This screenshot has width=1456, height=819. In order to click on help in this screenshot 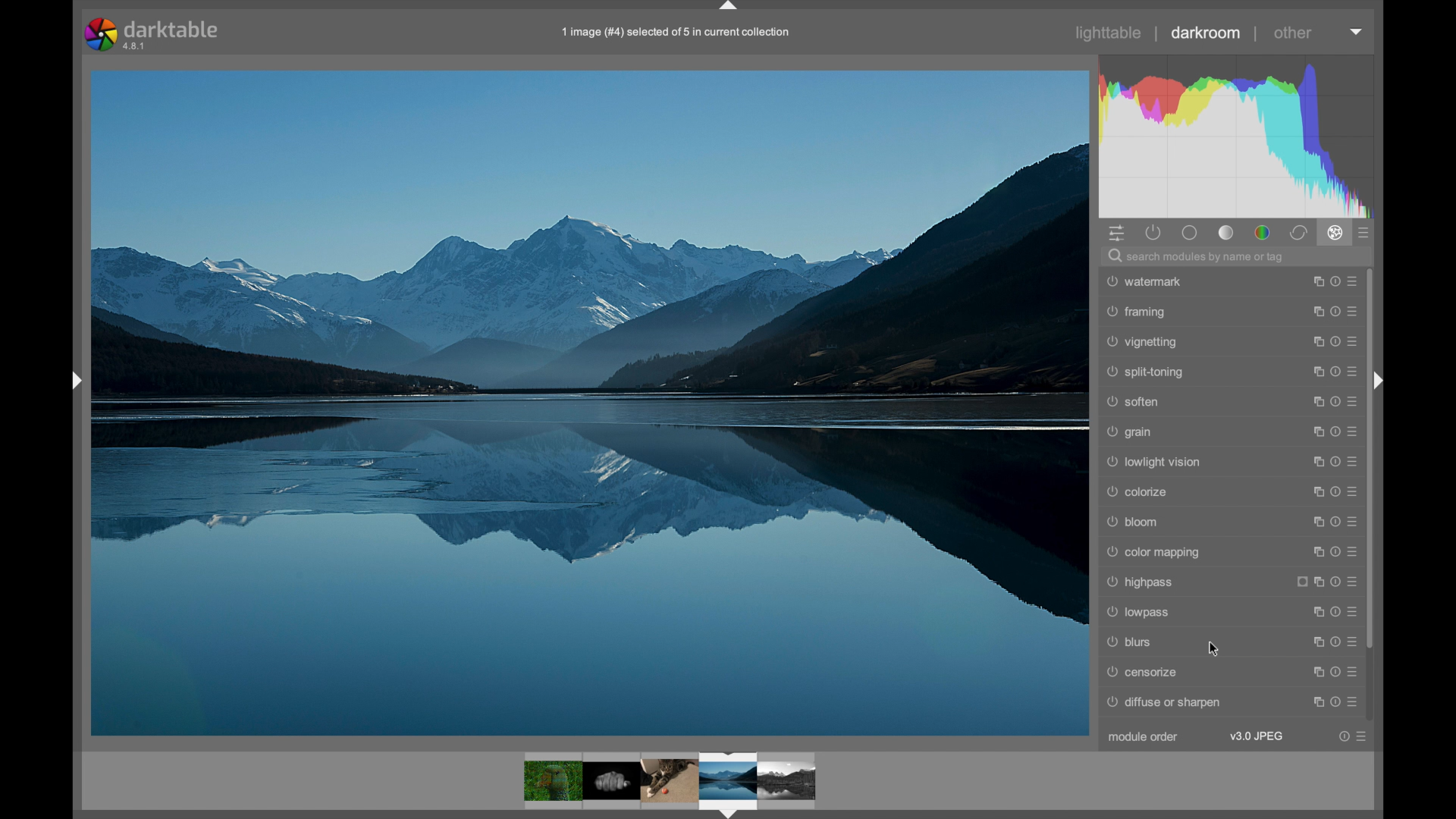, I will do `click(1333, 402)`.